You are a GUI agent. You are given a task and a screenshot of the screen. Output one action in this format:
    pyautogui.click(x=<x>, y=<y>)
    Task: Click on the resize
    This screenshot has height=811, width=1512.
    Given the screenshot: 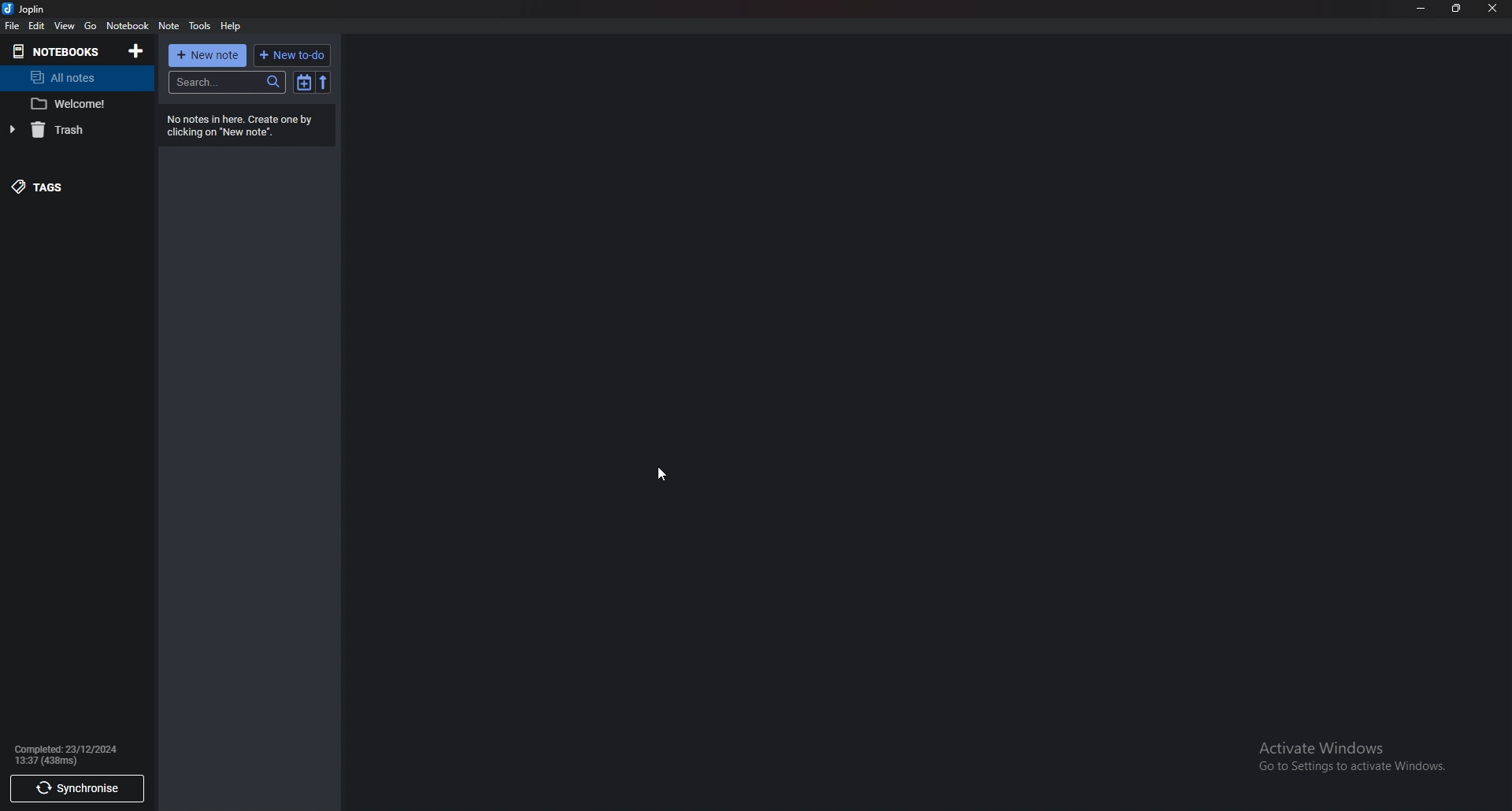 What is the action you would take?
    pyautogui.click(x=1458, y=9)
    